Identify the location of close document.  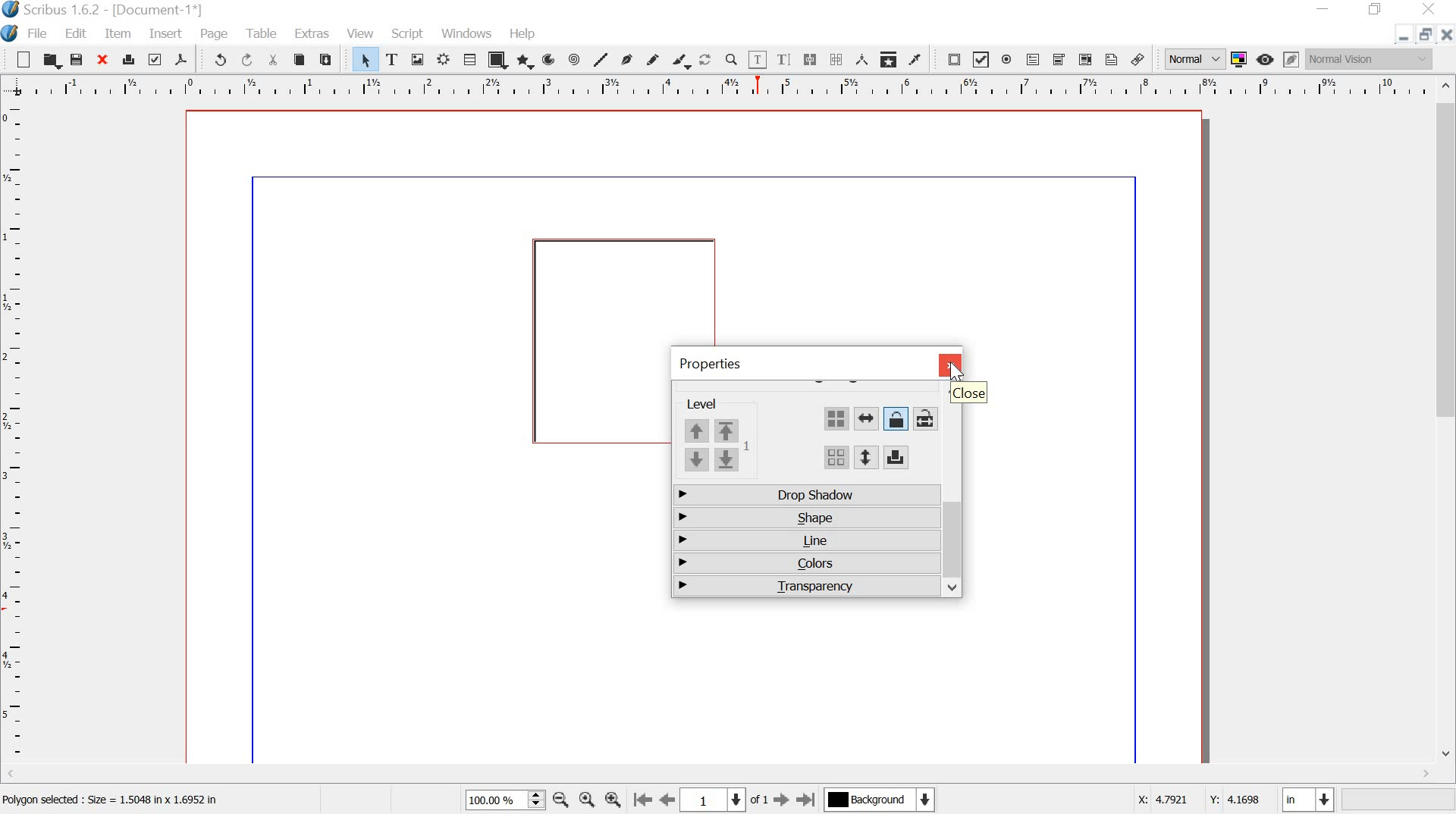
(1445, 35).